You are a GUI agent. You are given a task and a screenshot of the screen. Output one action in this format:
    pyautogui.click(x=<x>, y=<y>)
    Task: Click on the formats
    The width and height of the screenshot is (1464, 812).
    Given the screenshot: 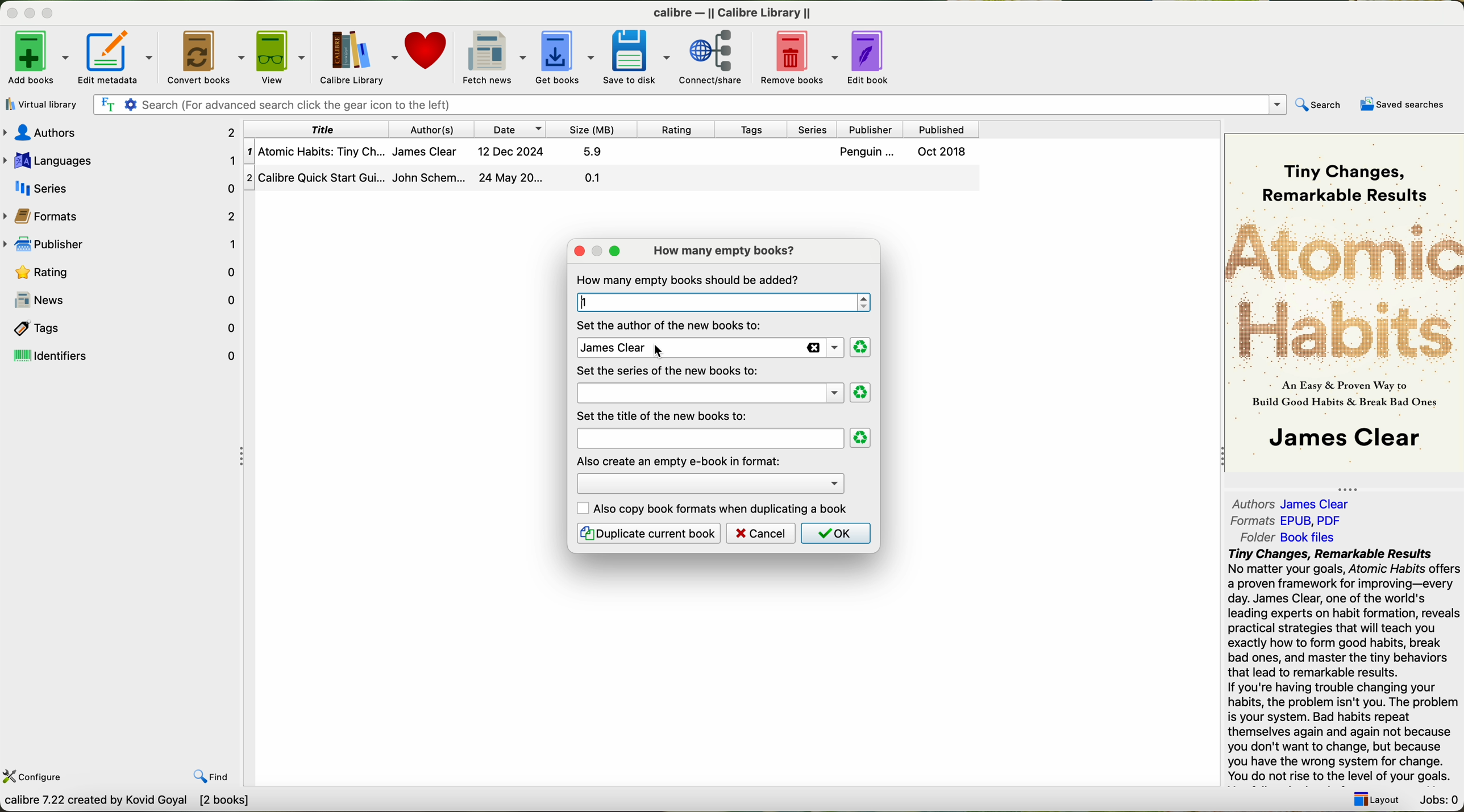 What is the action you would take?
    pyautogui.click(x=123, y=215)
    